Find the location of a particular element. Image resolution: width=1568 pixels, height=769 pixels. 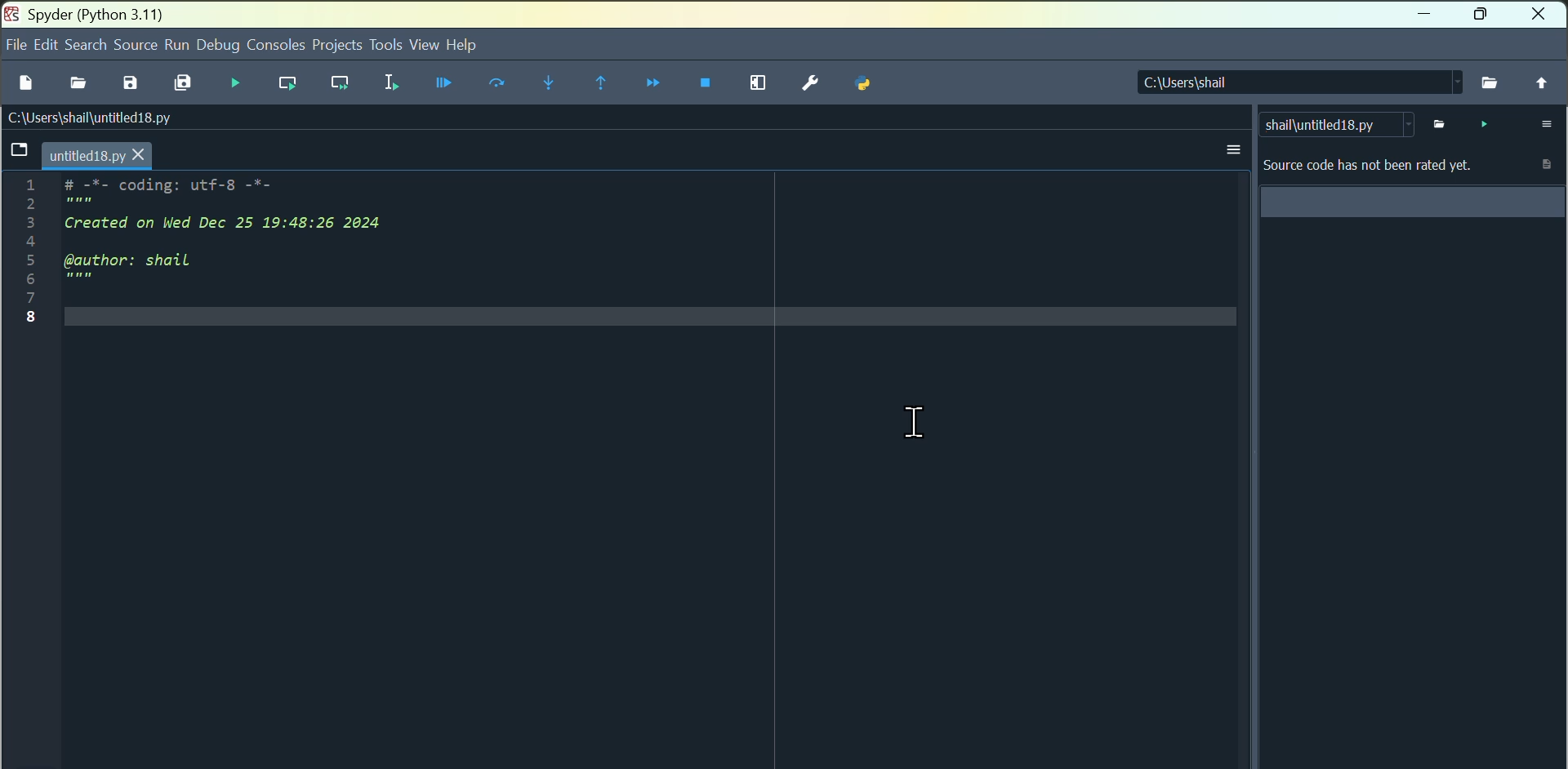

options is located at coordinates (1543, 124).